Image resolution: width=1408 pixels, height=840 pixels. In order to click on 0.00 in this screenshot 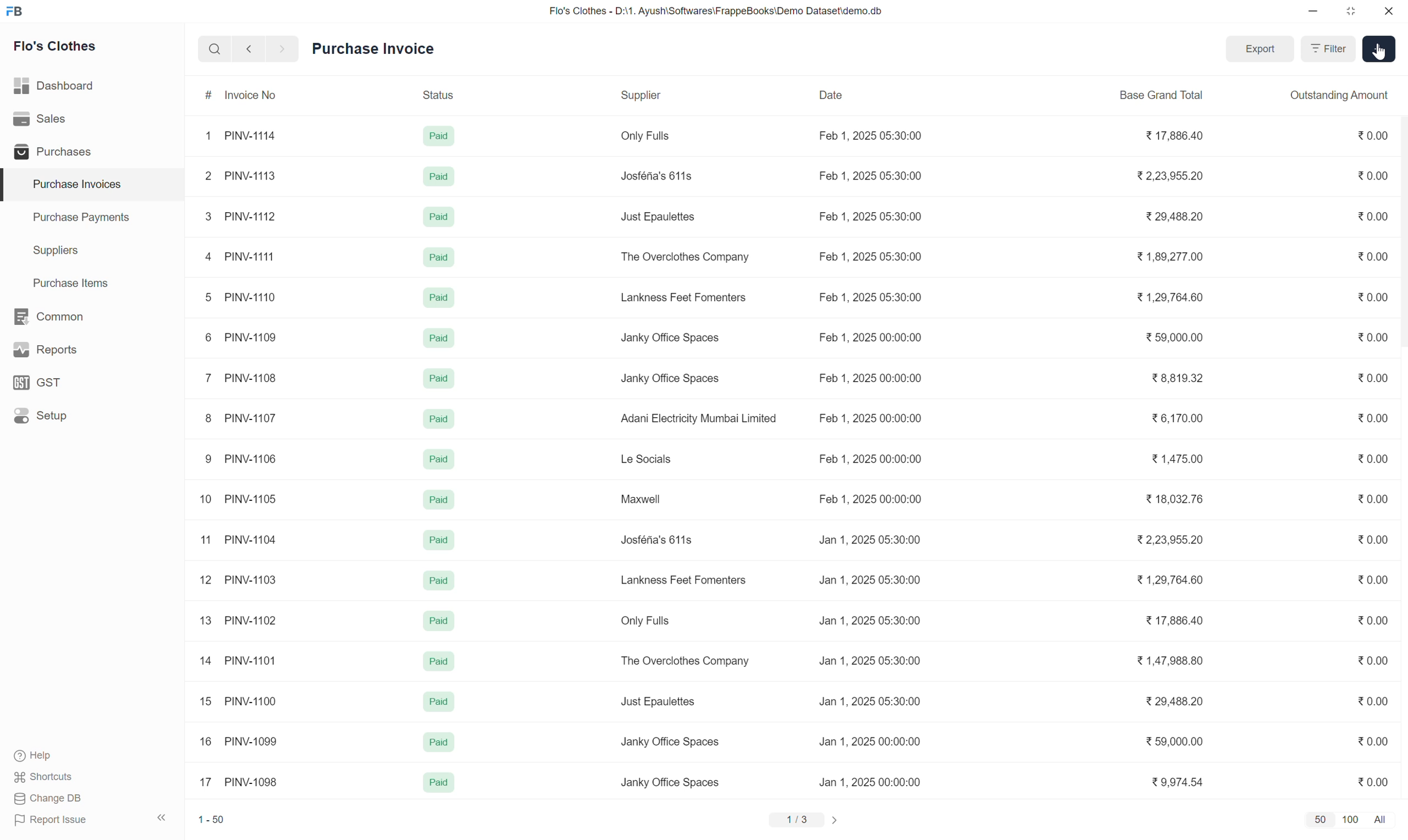, I will do `click(1372, 579)`.